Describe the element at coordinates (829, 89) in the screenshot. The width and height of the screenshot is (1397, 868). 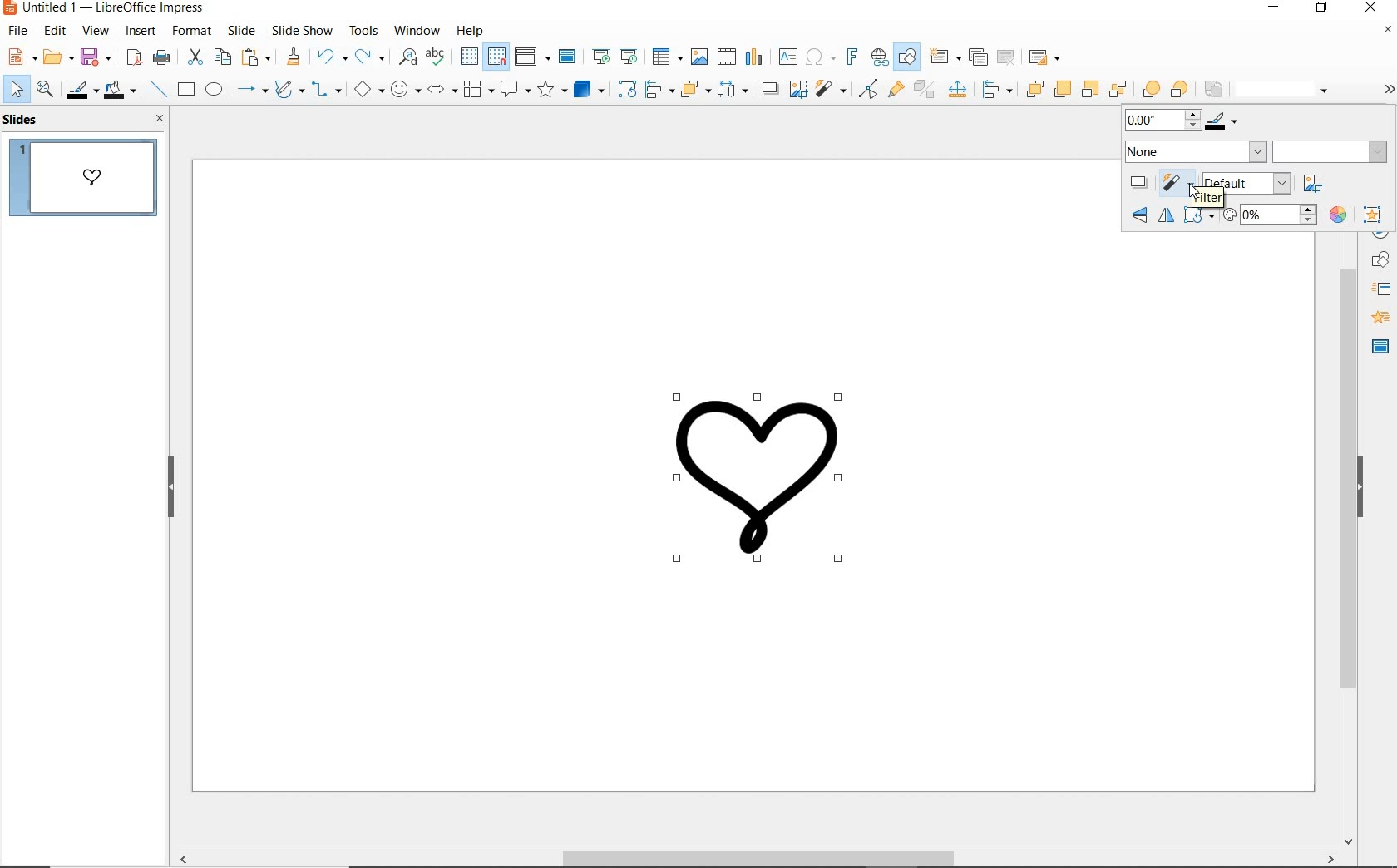
I see `filter` at that location.